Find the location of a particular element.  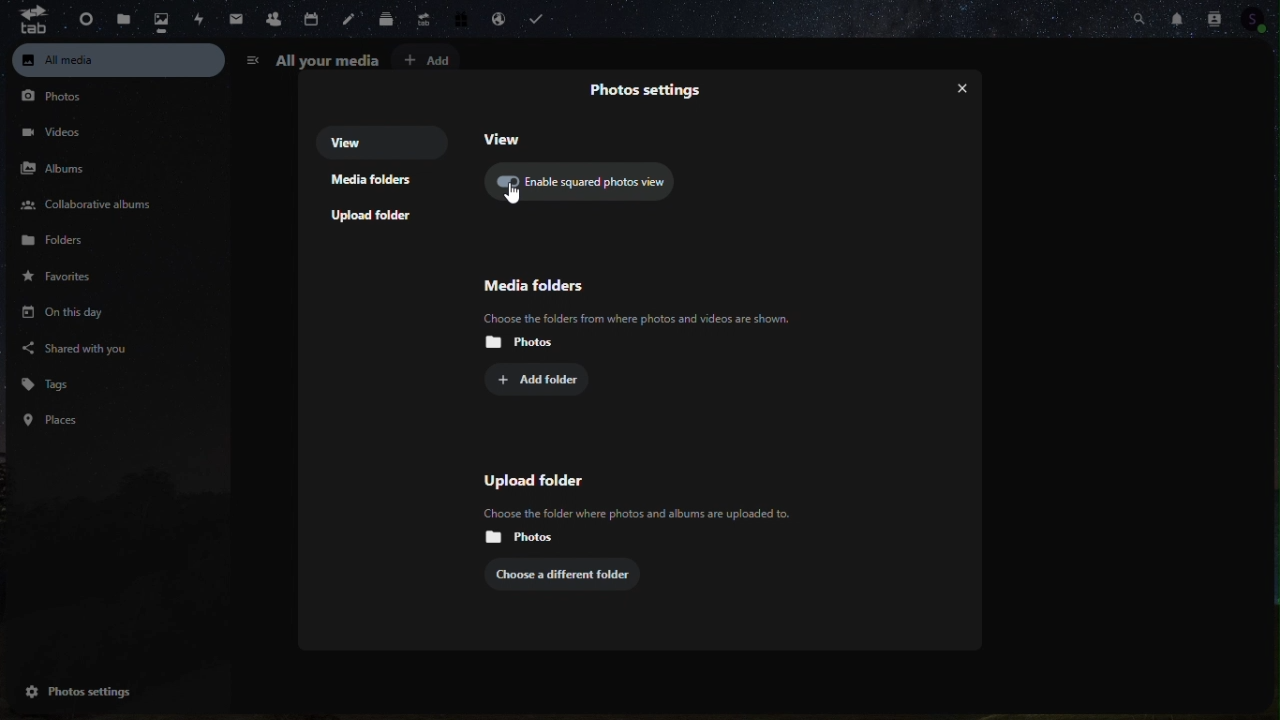

Upload folders is located at coordinates (380, 218).